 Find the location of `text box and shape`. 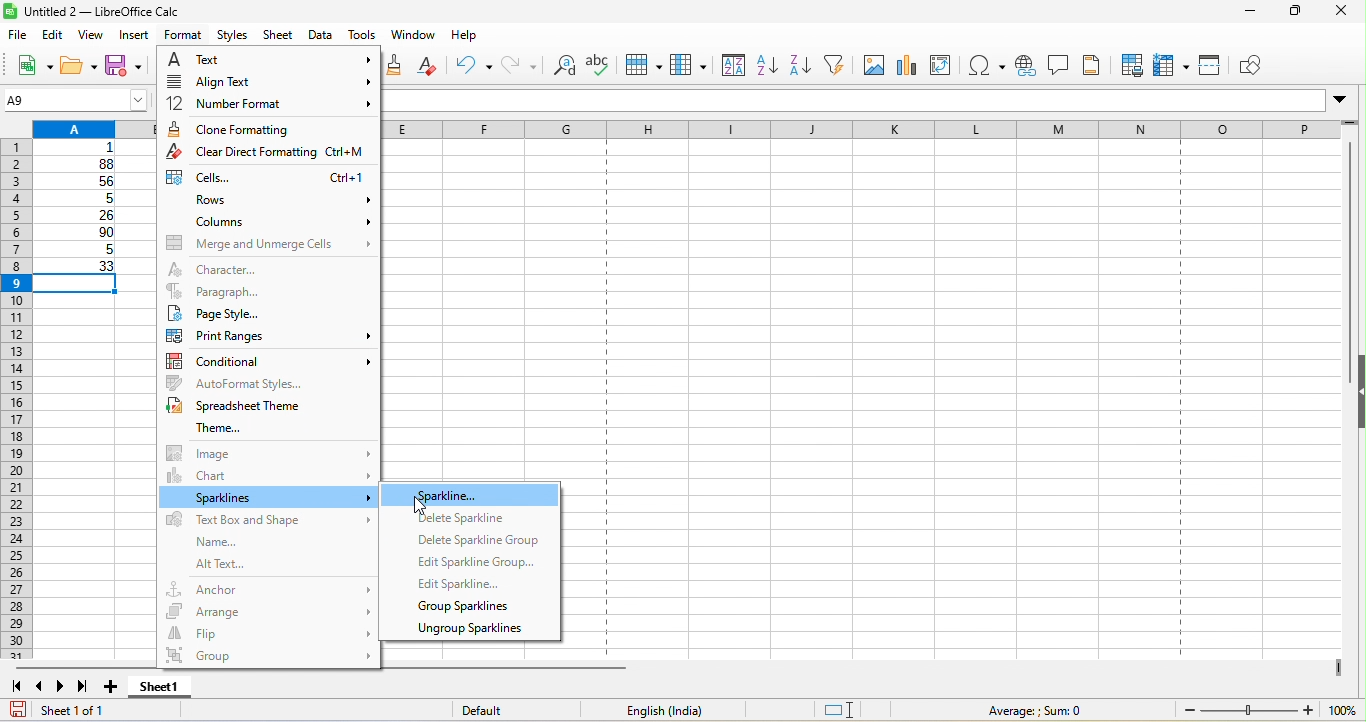

text box and shape is located at coordinates (266, 521).